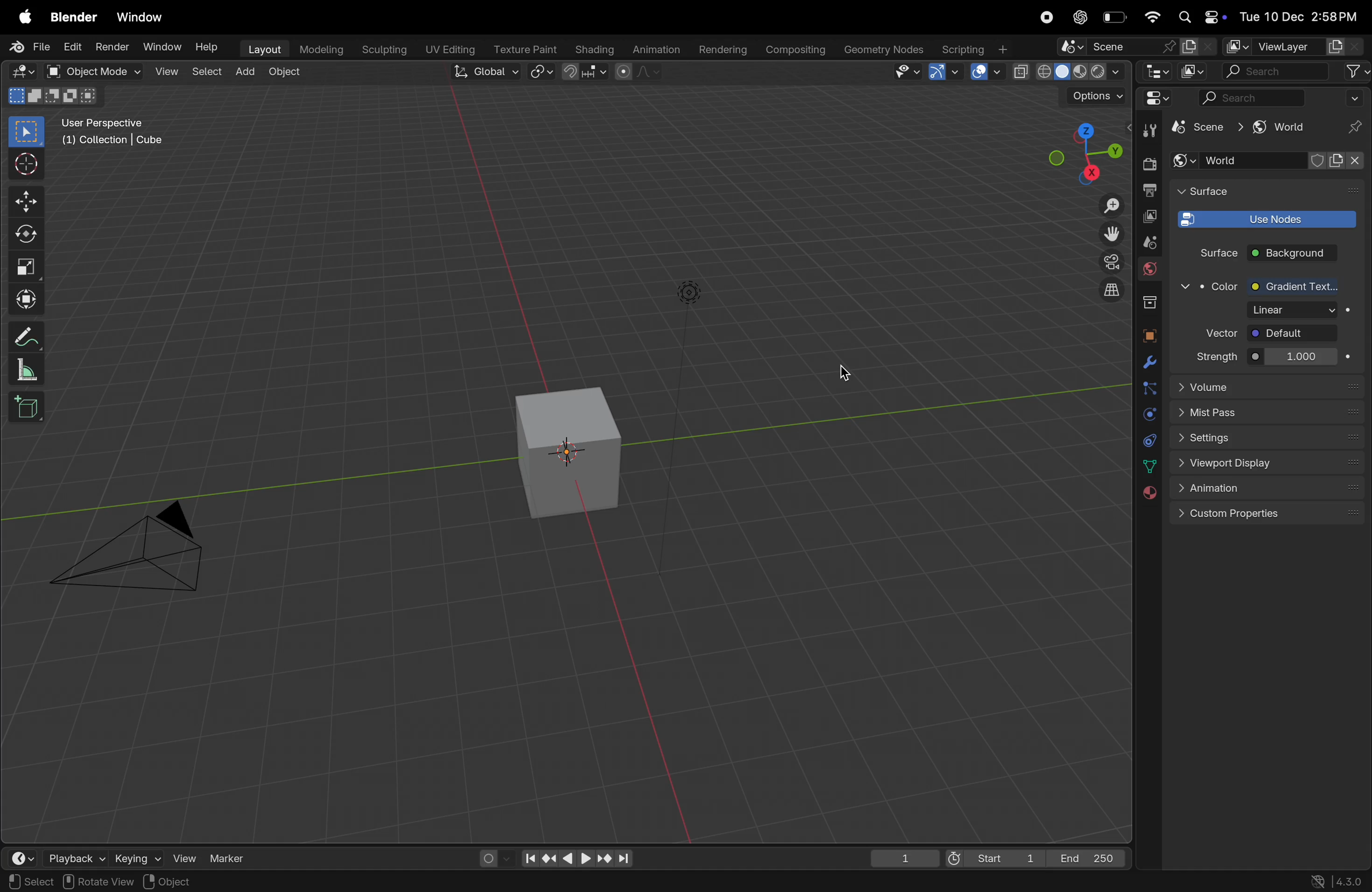  I want to click on Object, so click(287, 71).